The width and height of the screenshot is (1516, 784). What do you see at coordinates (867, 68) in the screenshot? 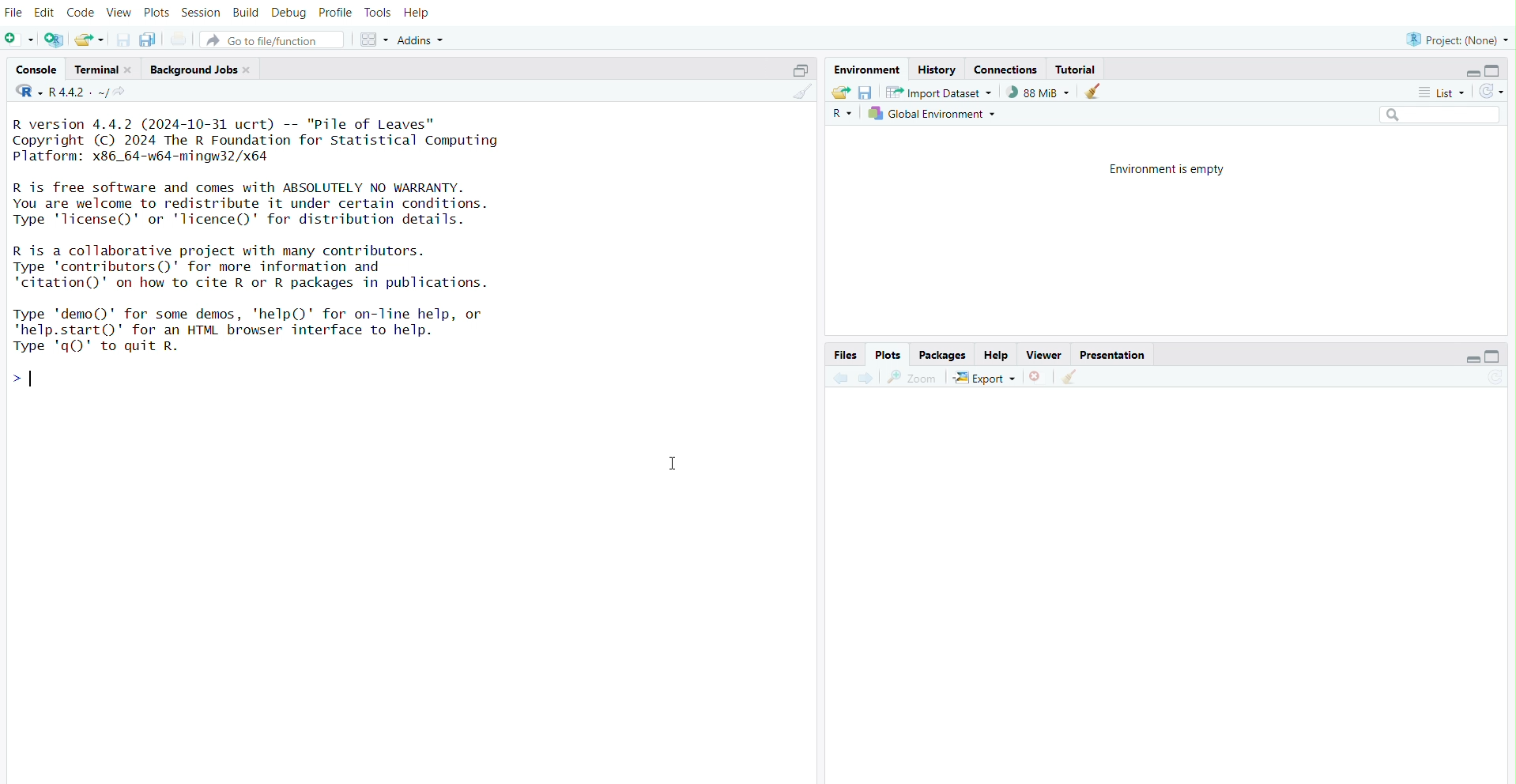
I see `environment` at bounding box center [867, 68].